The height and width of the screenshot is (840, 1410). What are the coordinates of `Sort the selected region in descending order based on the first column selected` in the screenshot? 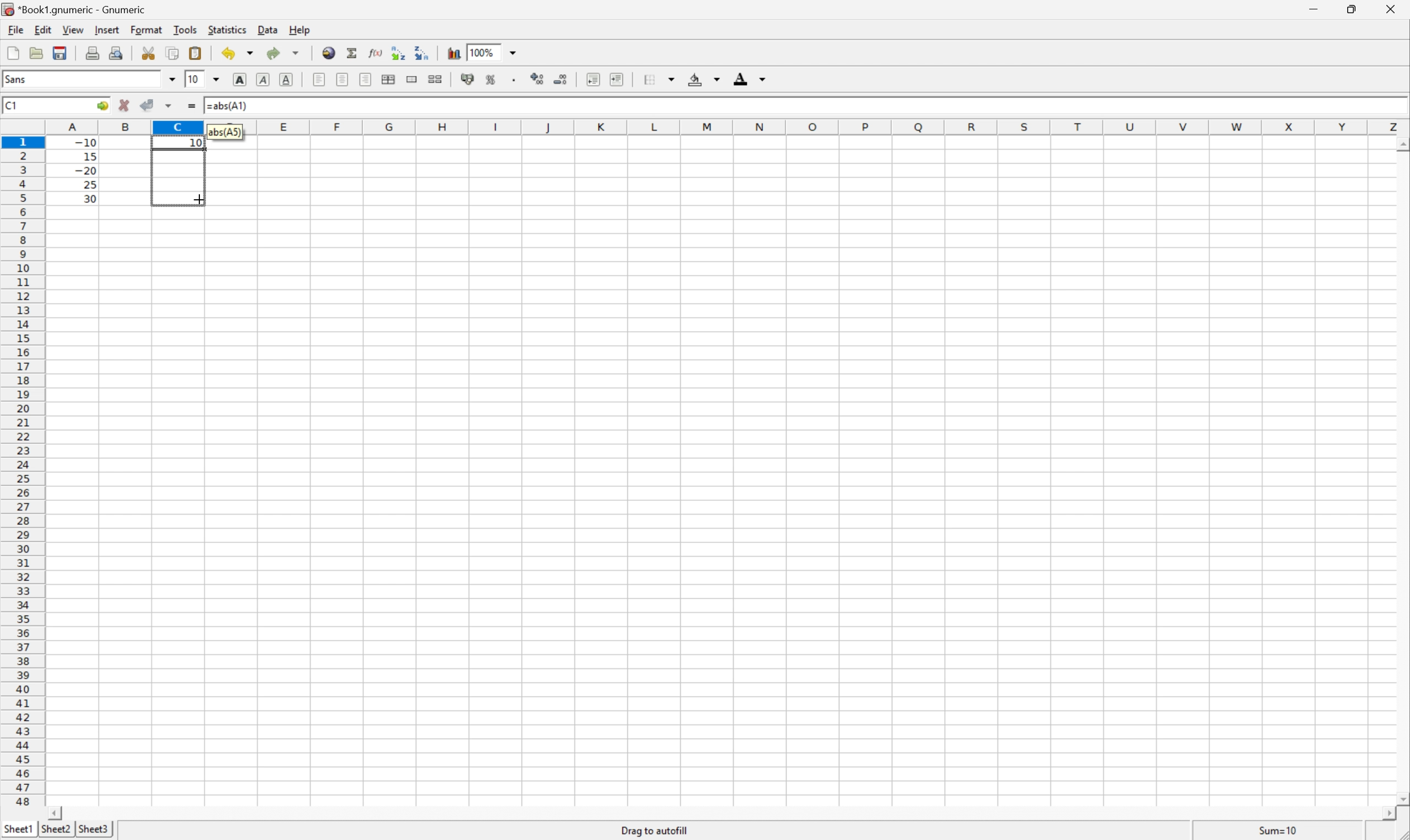 It's located at (421, 52).